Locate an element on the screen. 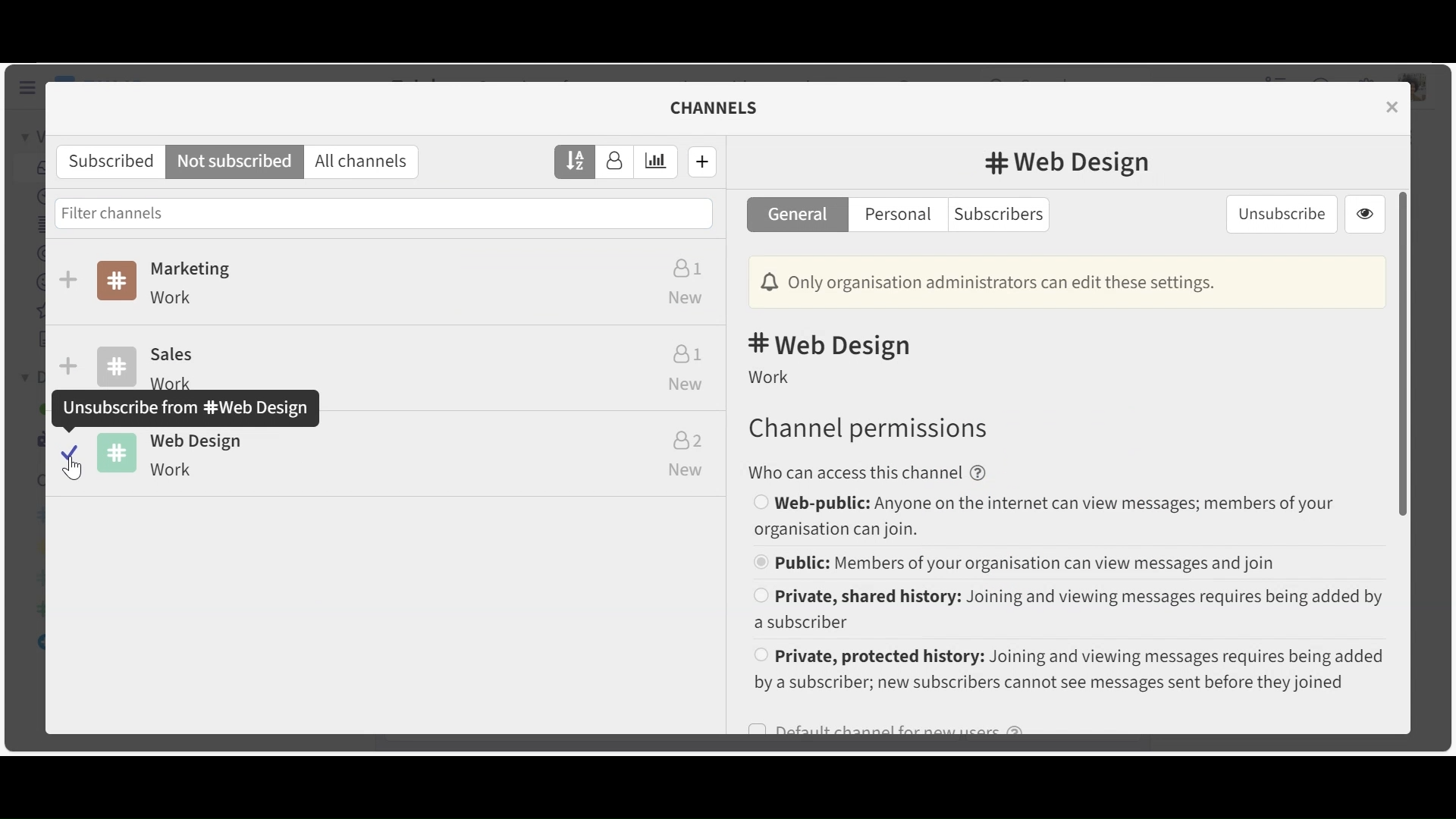 This screenshot has height=819, width=1456. Subscribe/unsubscibe is located at coordinates (71, 364).